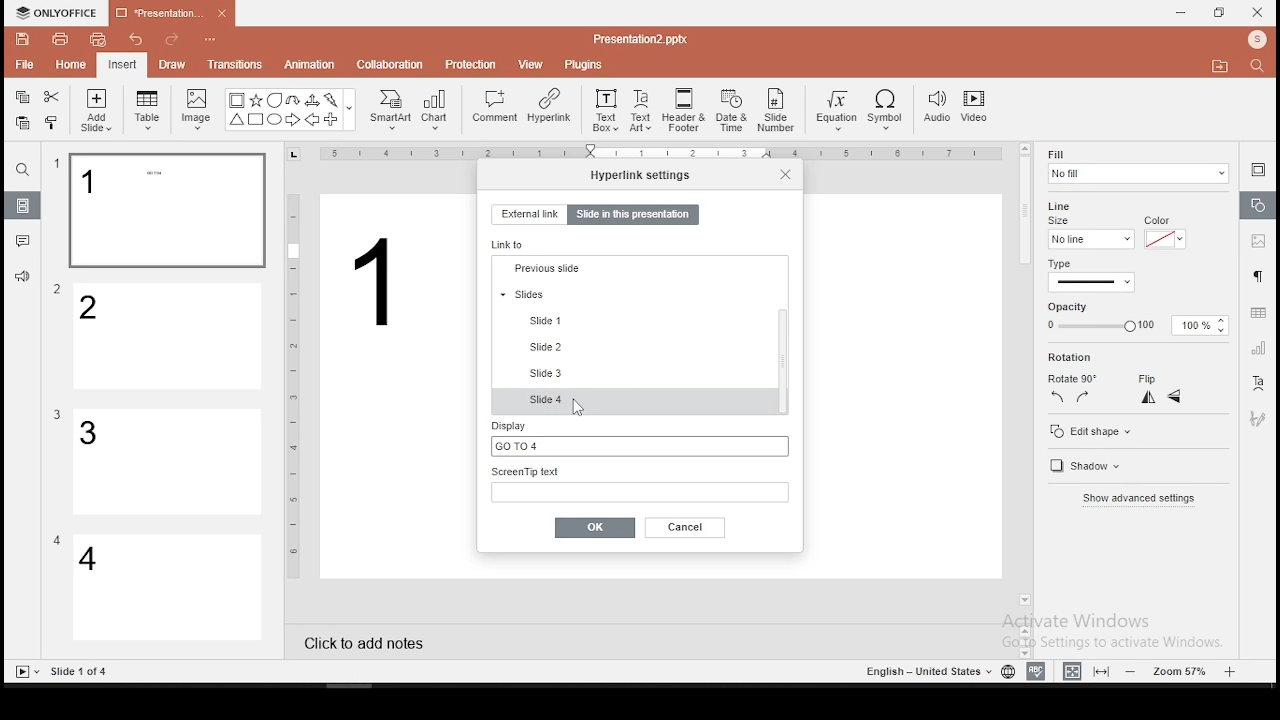  I want to click on hyperlink, so click(548, 105).